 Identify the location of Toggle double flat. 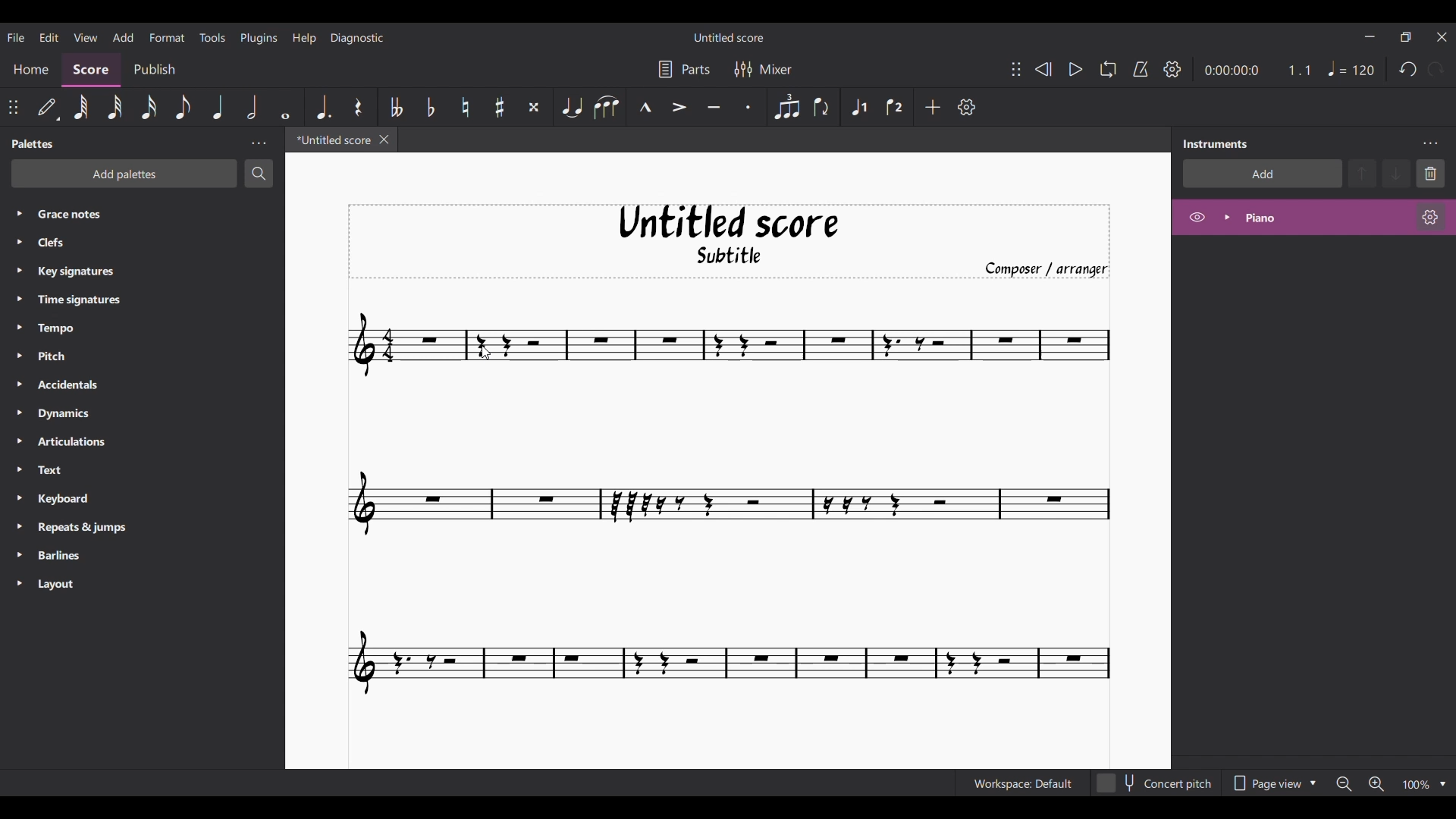
(397, 107).